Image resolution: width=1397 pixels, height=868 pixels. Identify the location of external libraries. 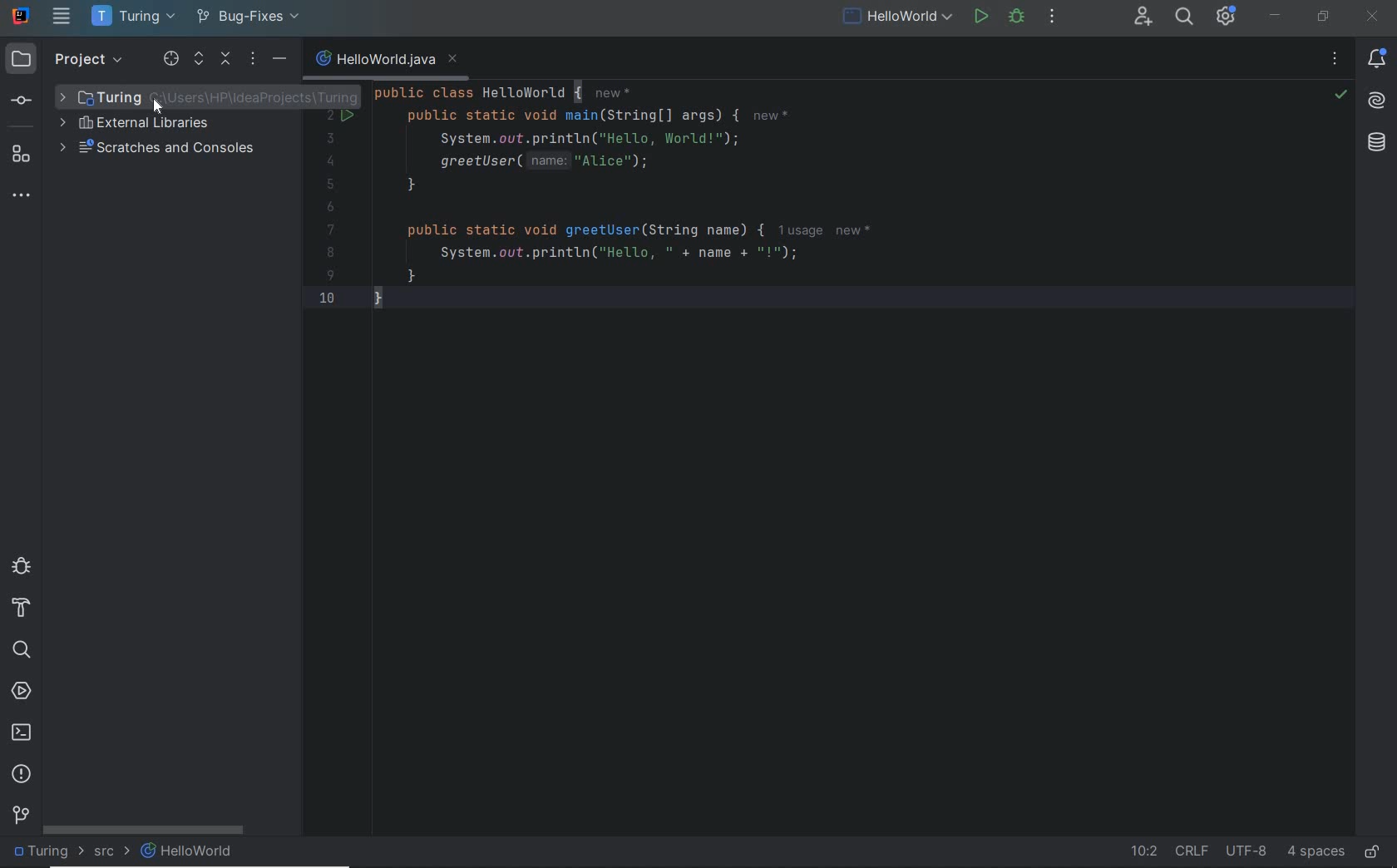
(143, 124).